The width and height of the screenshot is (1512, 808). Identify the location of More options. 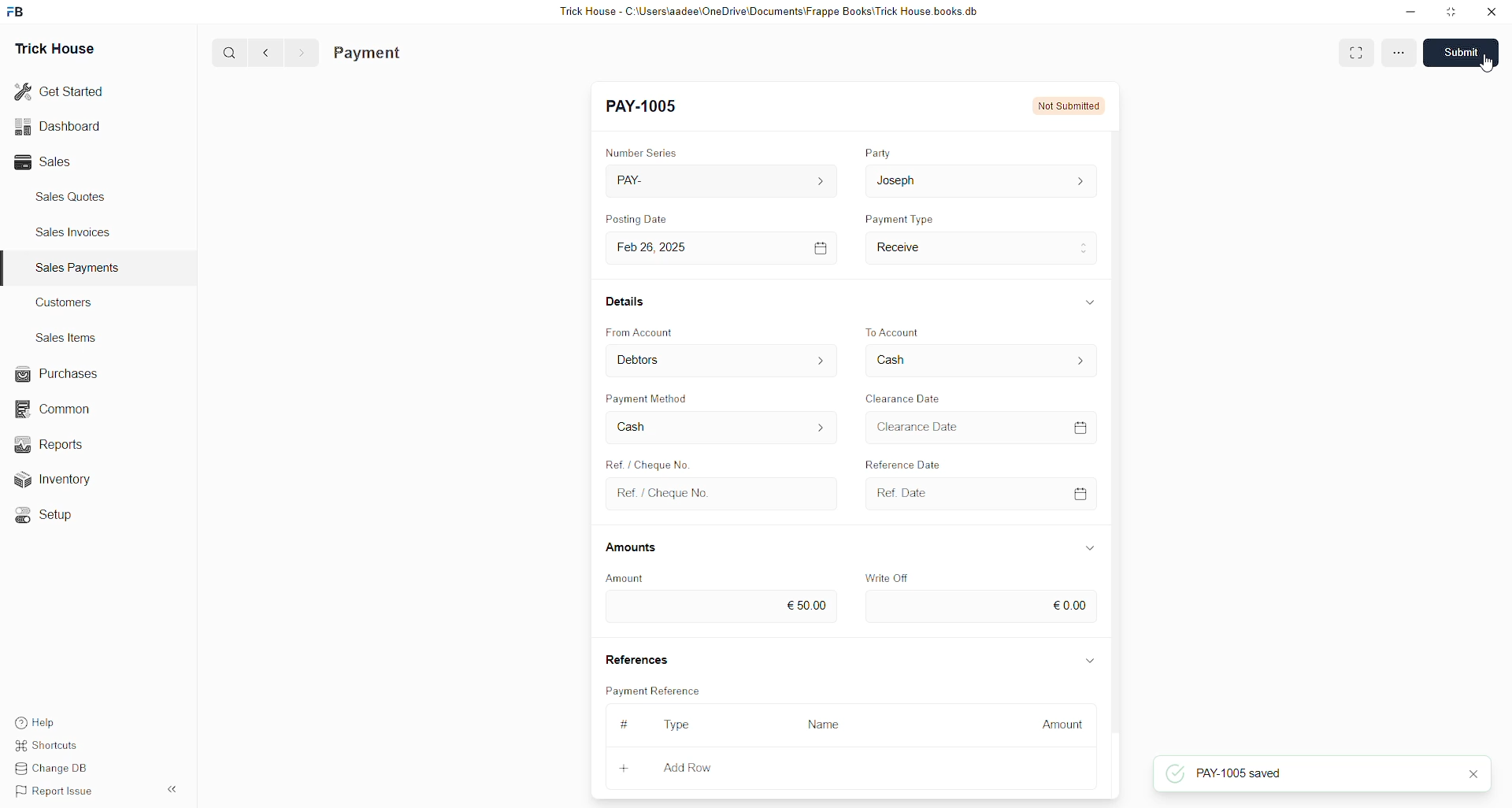
(1399, 53).